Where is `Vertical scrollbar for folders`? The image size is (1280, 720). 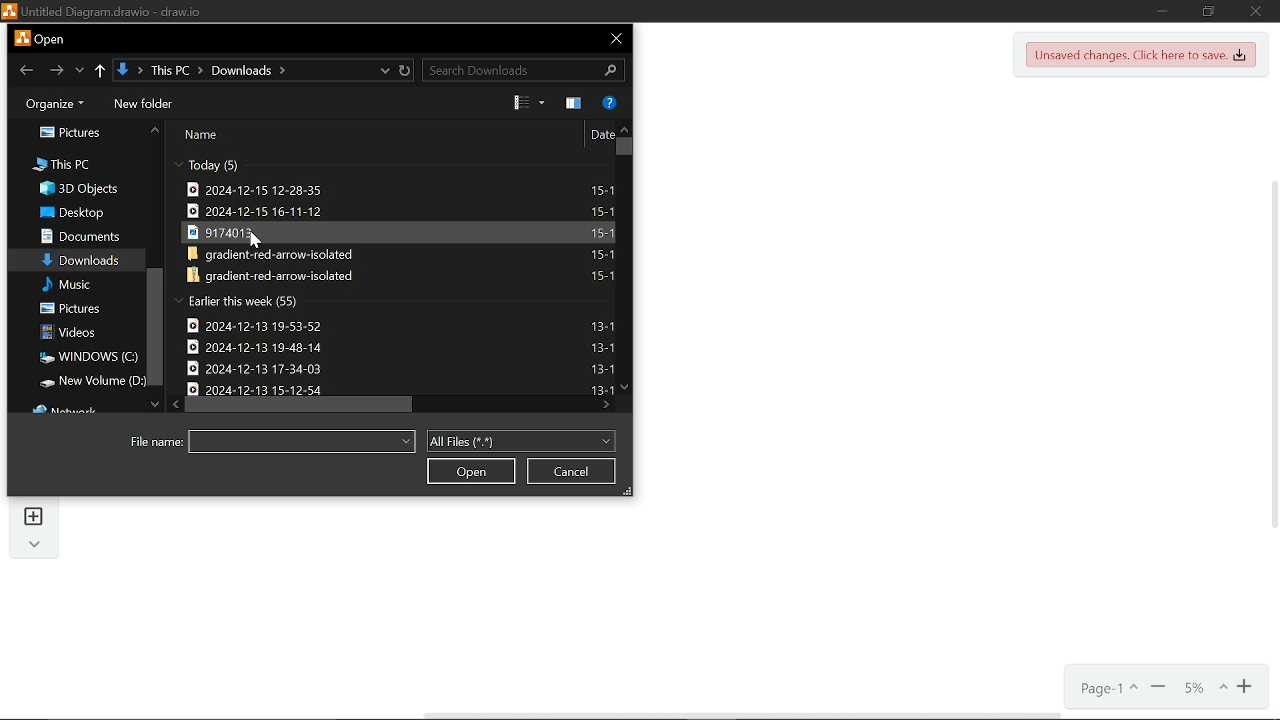
Vertical scrollbar for folders is located at coordinates (158, 325).